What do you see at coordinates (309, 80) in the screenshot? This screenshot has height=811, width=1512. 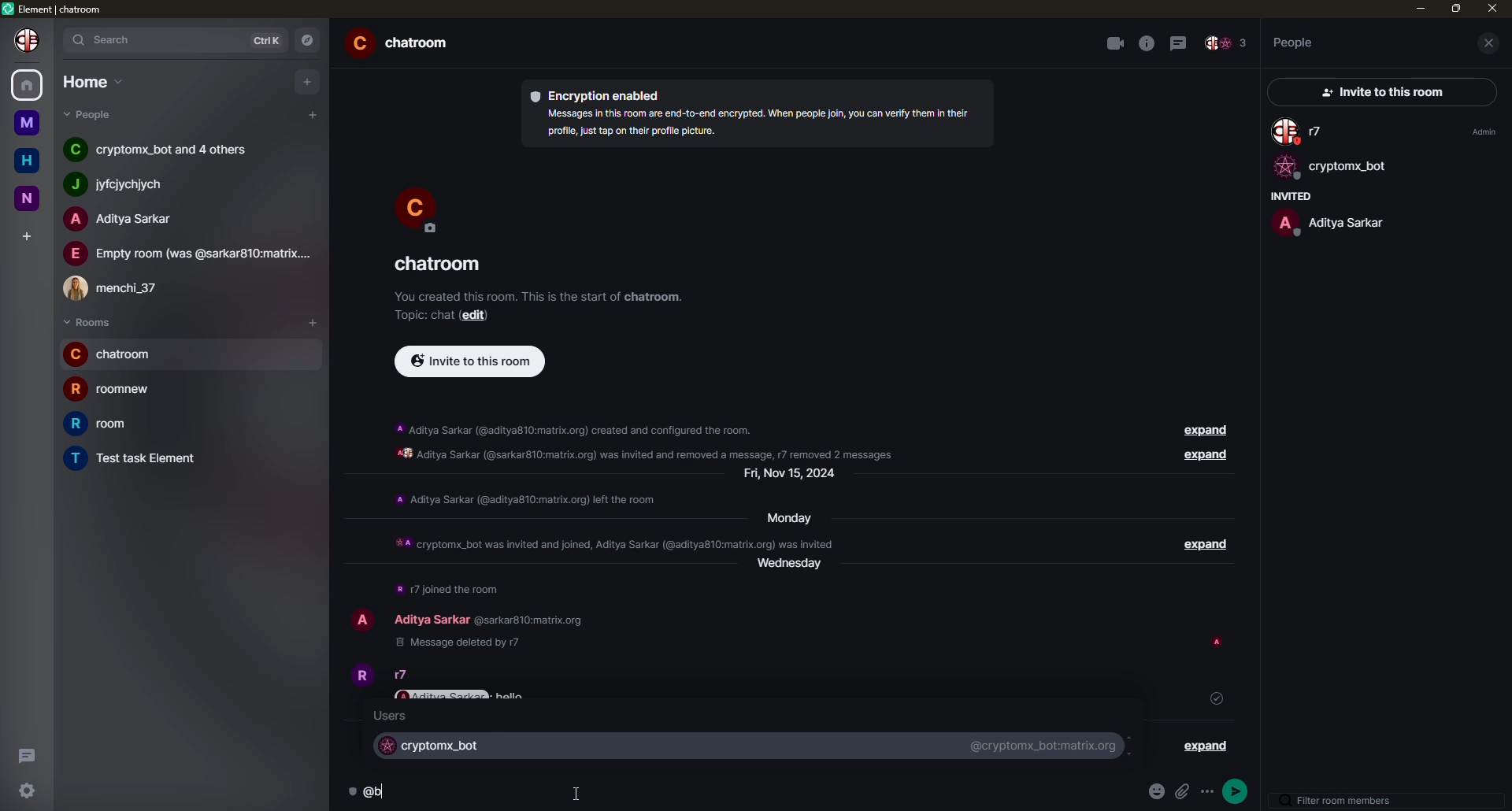 I see `add` at bounding box center [309, 80].